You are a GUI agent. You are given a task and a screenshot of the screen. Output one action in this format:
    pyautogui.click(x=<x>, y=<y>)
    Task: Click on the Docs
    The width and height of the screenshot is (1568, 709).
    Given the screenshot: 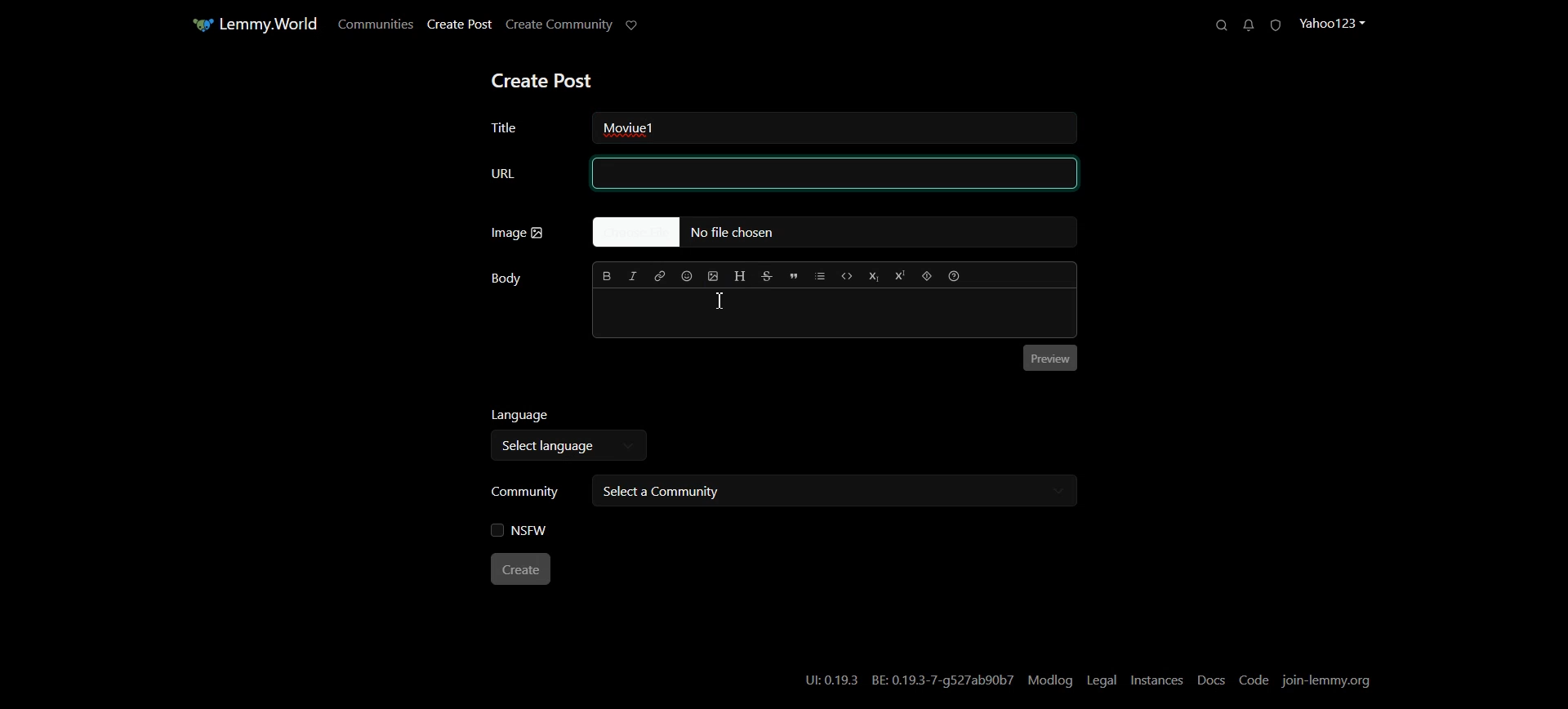 What is the action you would take?
    pyautogui.click(x=1211, y=680)
    